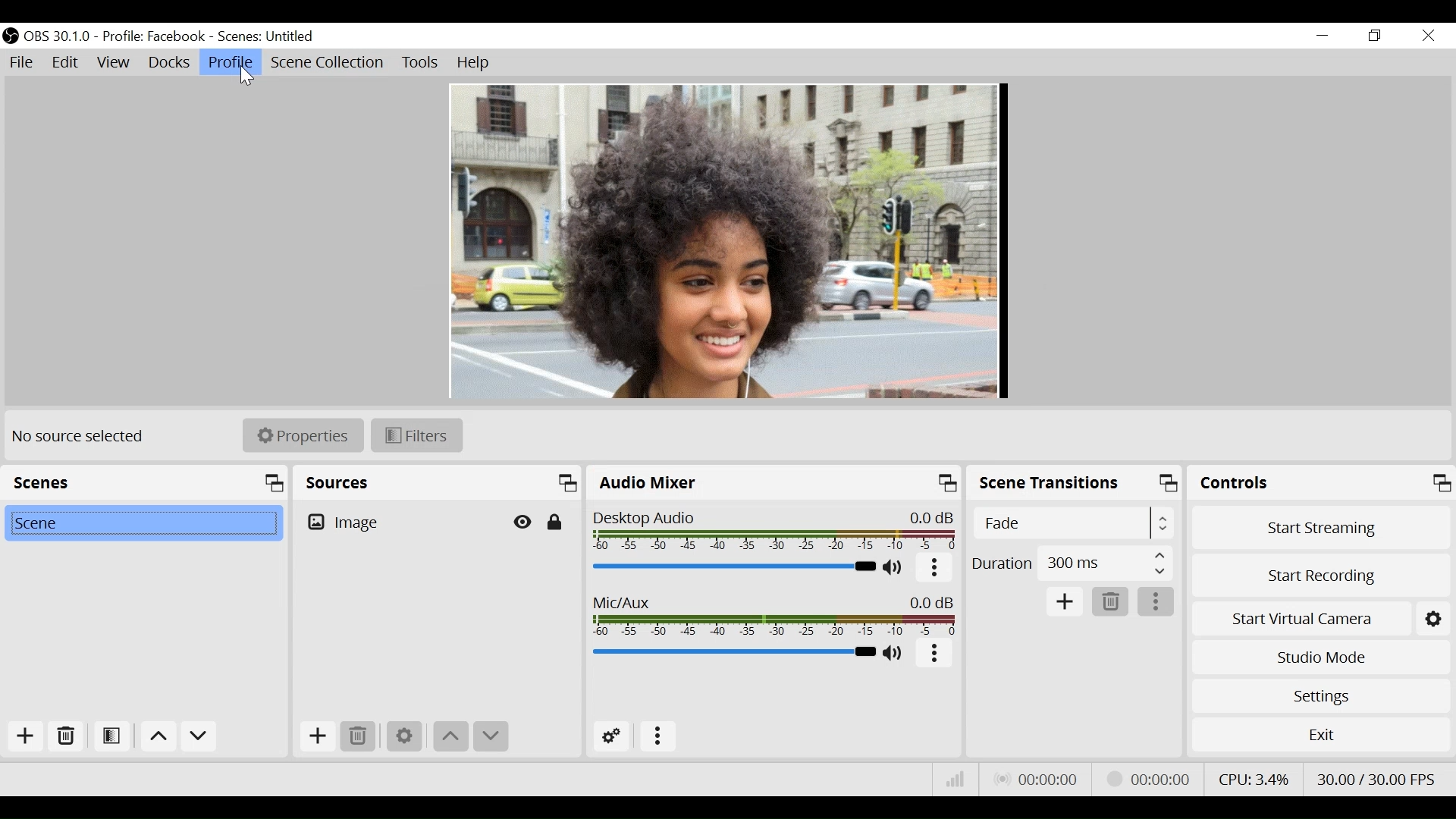 This screenshot has height=819, width=1456. What do you see at coordinates (1318, 659) in the screenshot?
I see `Studio Mode` at bounding box center [1318, 659].